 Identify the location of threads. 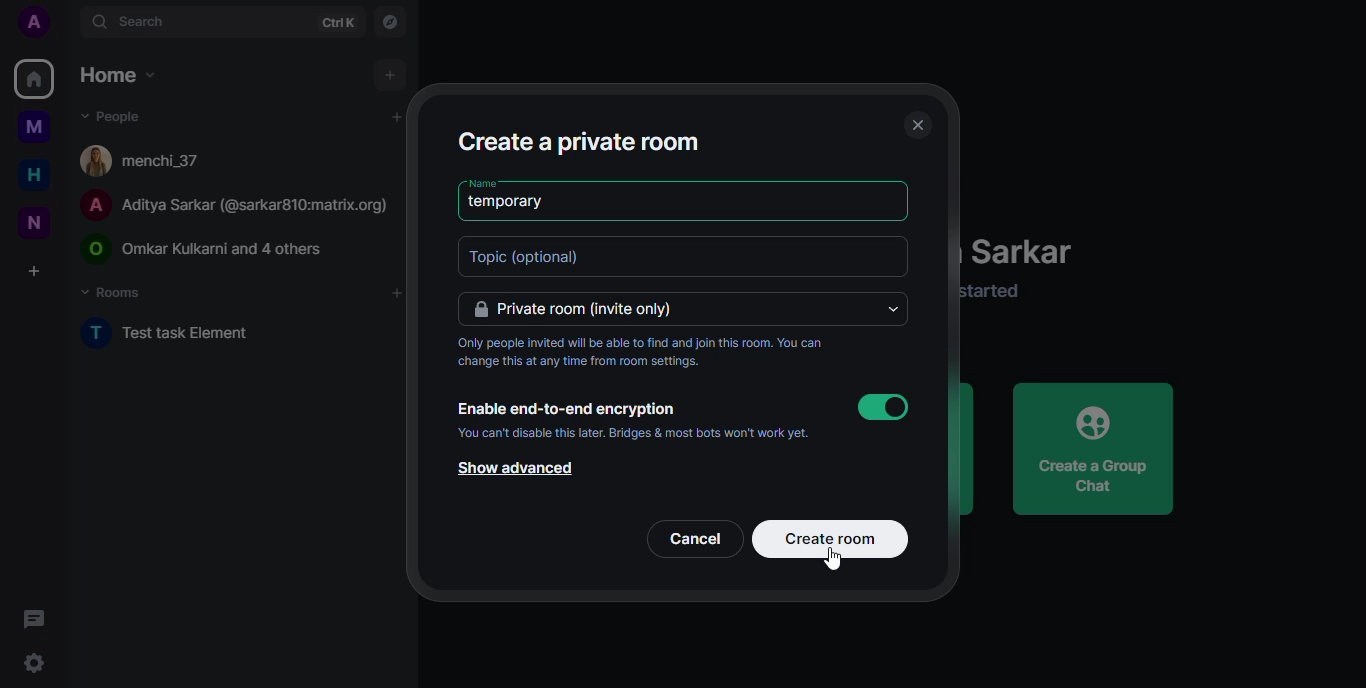
(38, 617).